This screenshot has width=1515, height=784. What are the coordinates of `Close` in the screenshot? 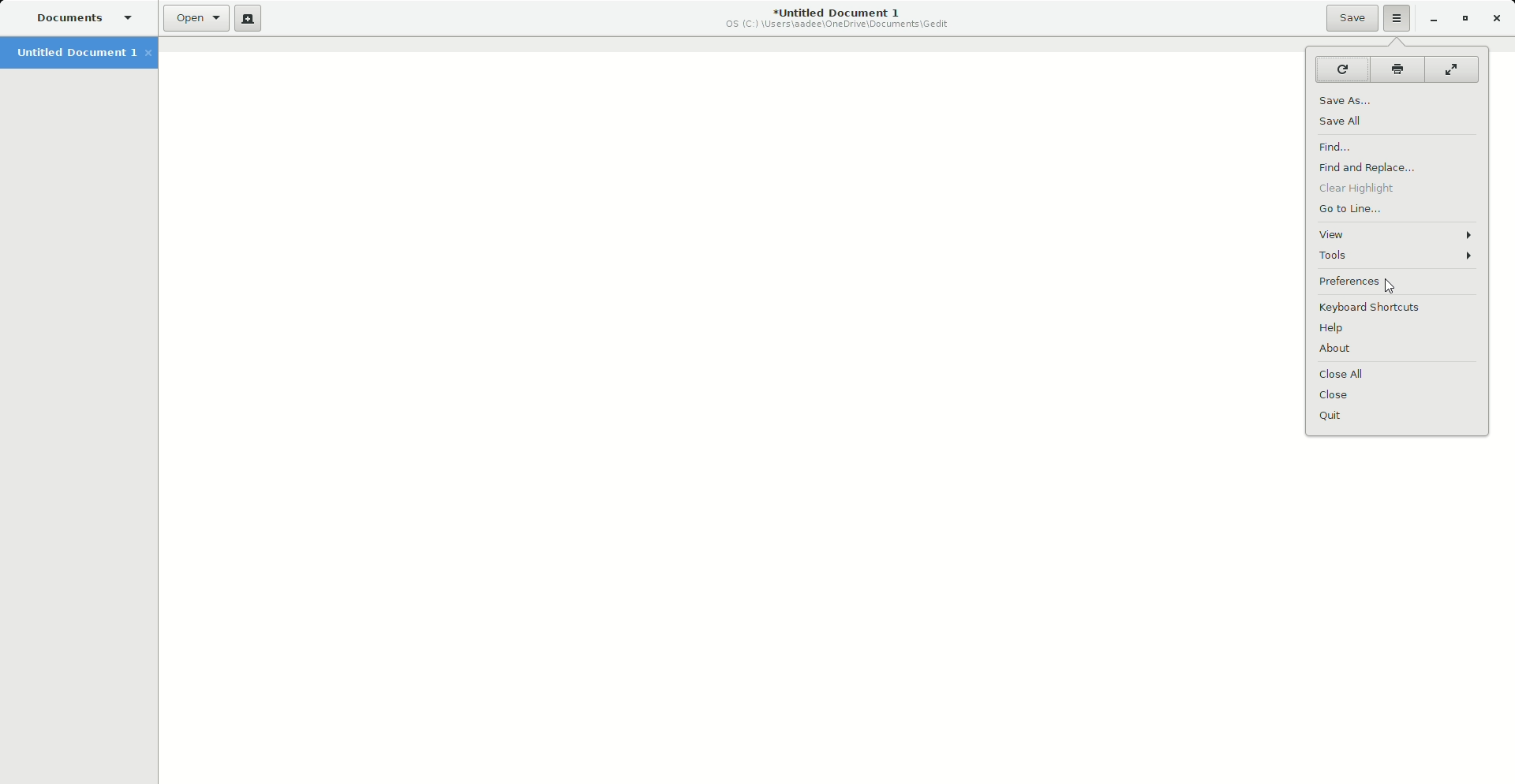 It's located at (1335, 395).